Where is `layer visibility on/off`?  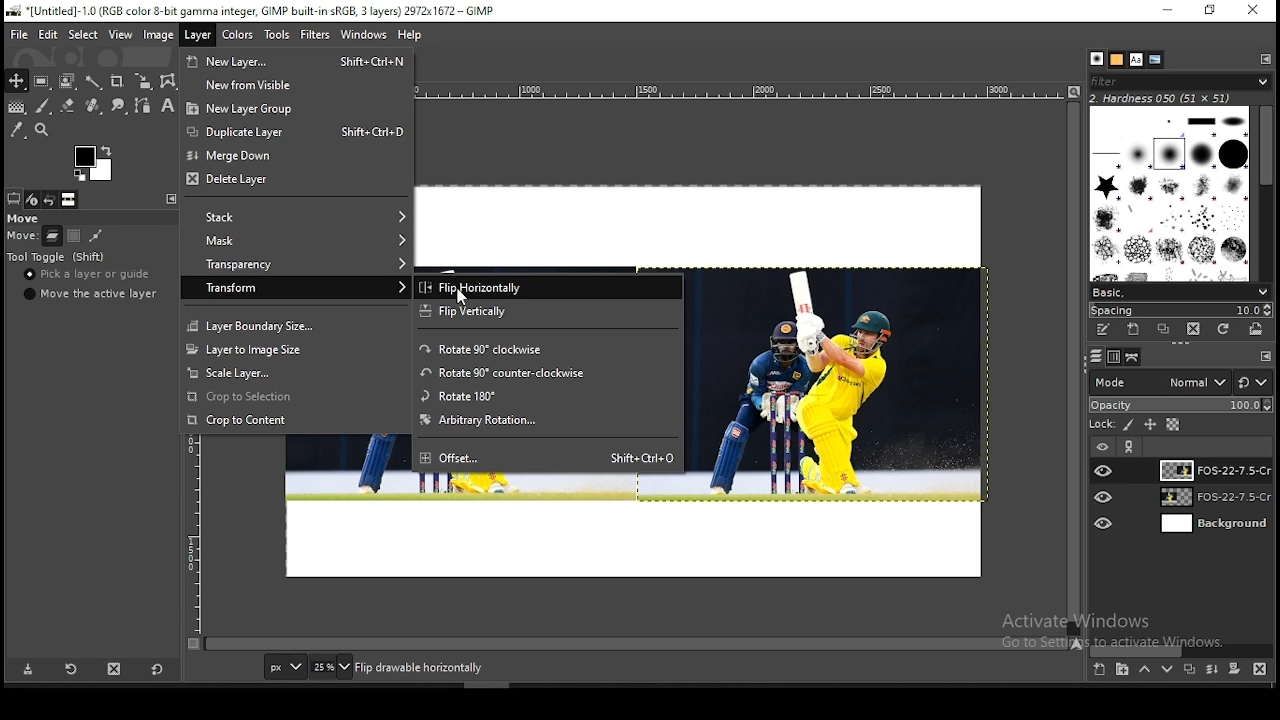 layer visibility on/off is located at coordinates (1105, 521).